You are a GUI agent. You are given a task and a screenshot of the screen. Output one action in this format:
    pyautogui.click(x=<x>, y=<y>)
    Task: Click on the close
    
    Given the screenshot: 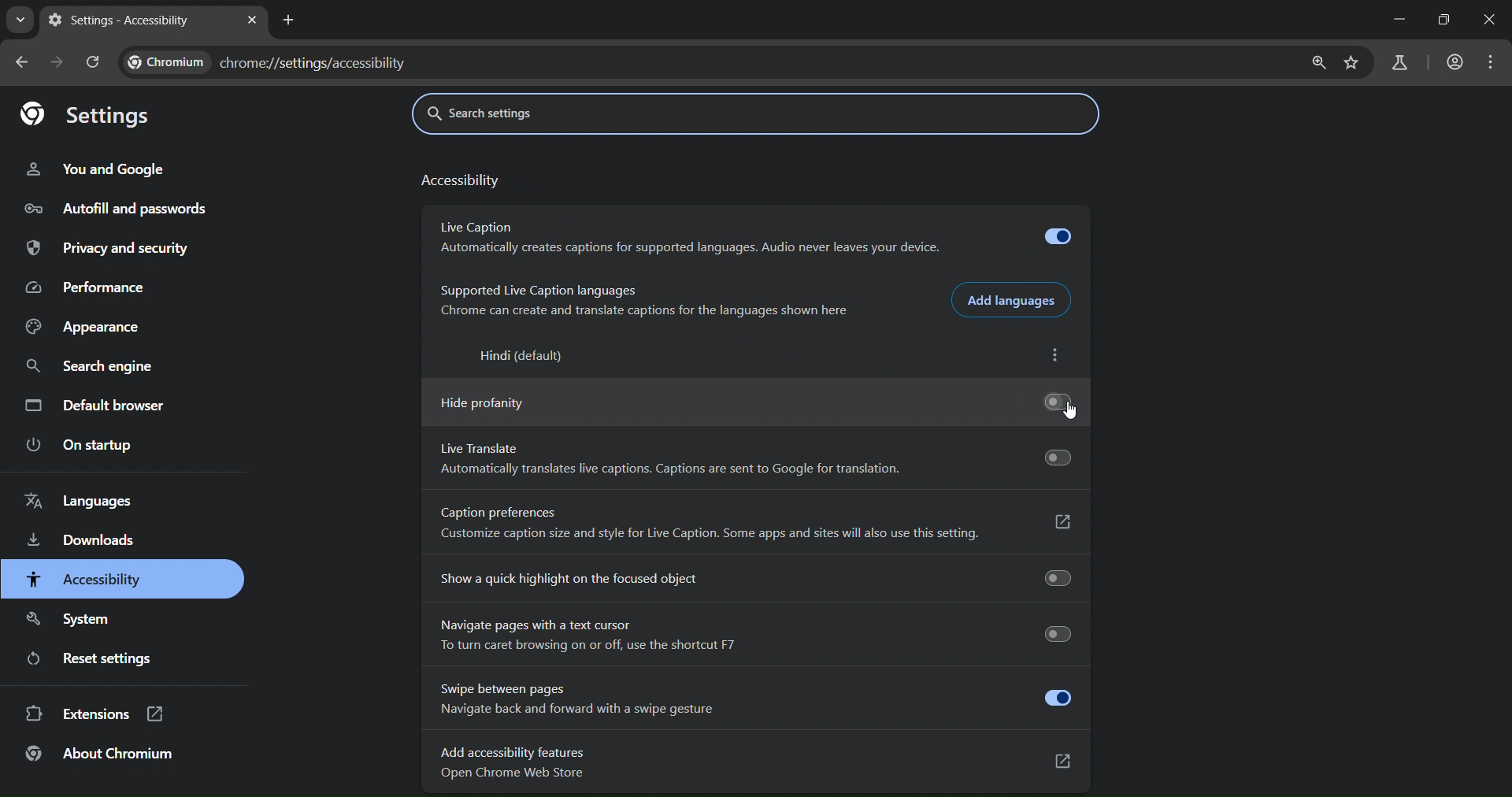 What is the action you would take?
    pyautogui.click(x=1490, y=20)
    